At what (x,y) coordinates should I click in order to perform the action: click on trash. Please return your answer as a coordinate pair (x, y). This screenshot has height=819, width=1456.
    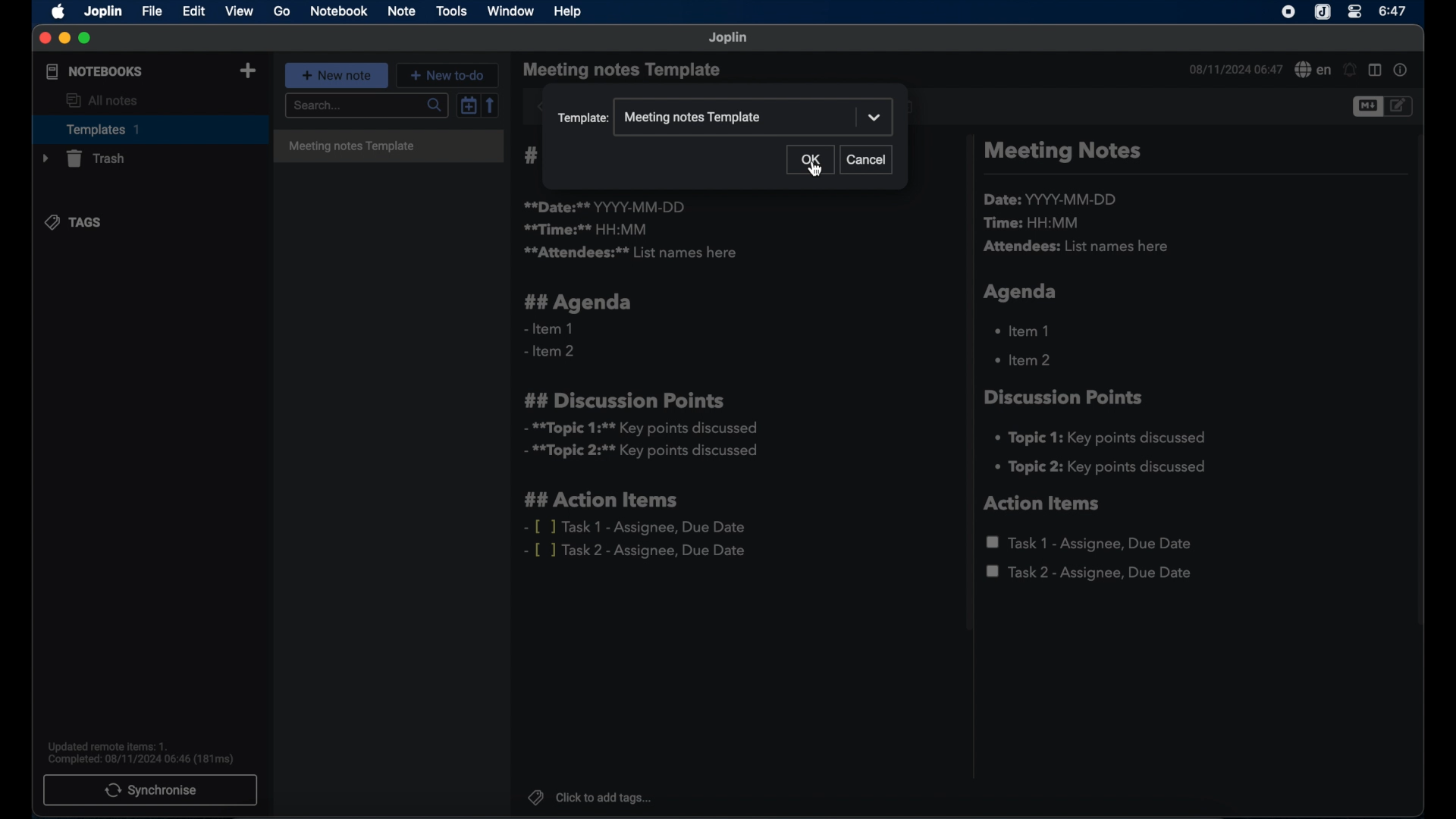
    Looking at the image, I should click on (82, 158).